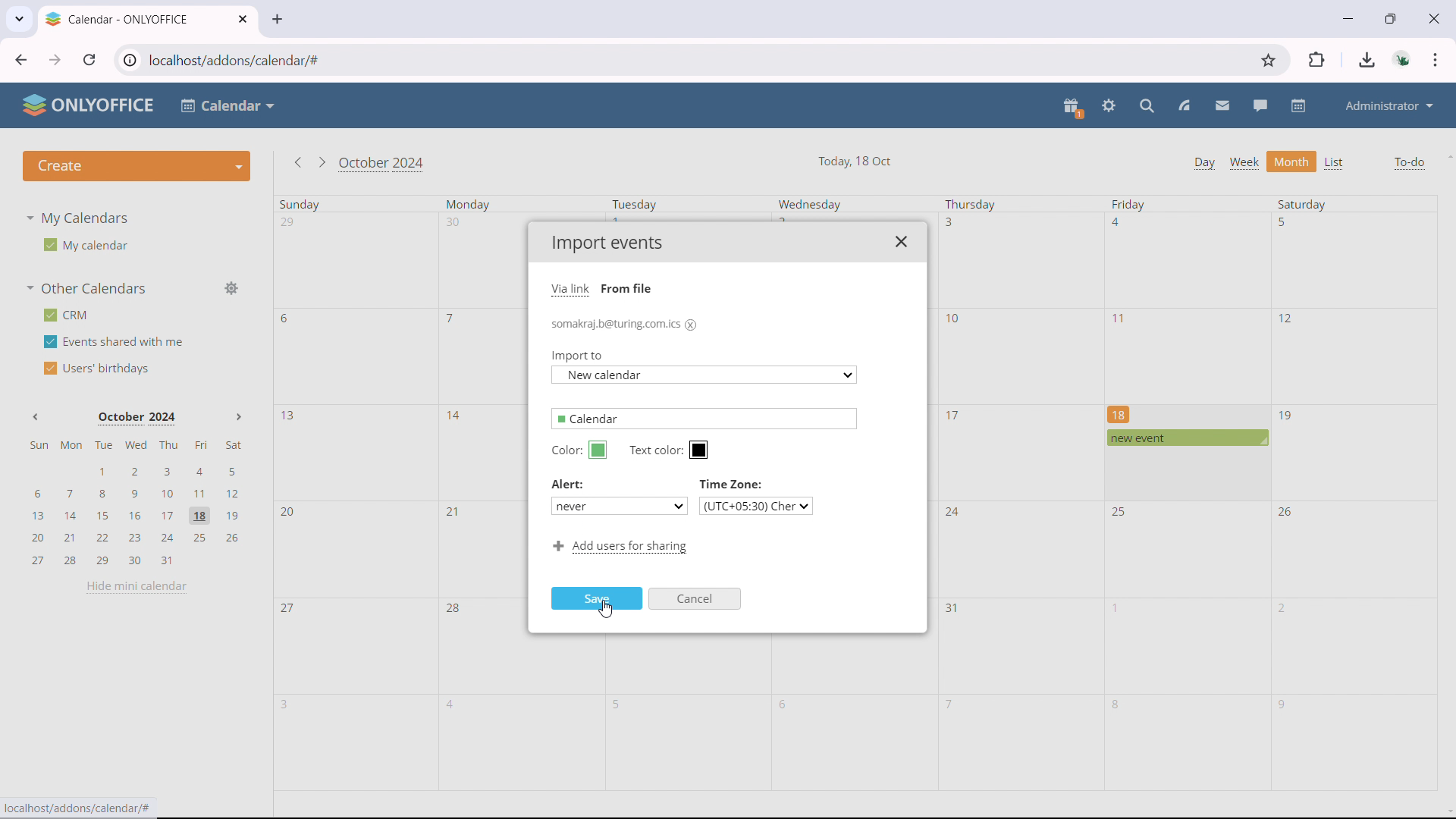 The image size is (1456, 819). I want to click on administrator, so click(1388, 105).